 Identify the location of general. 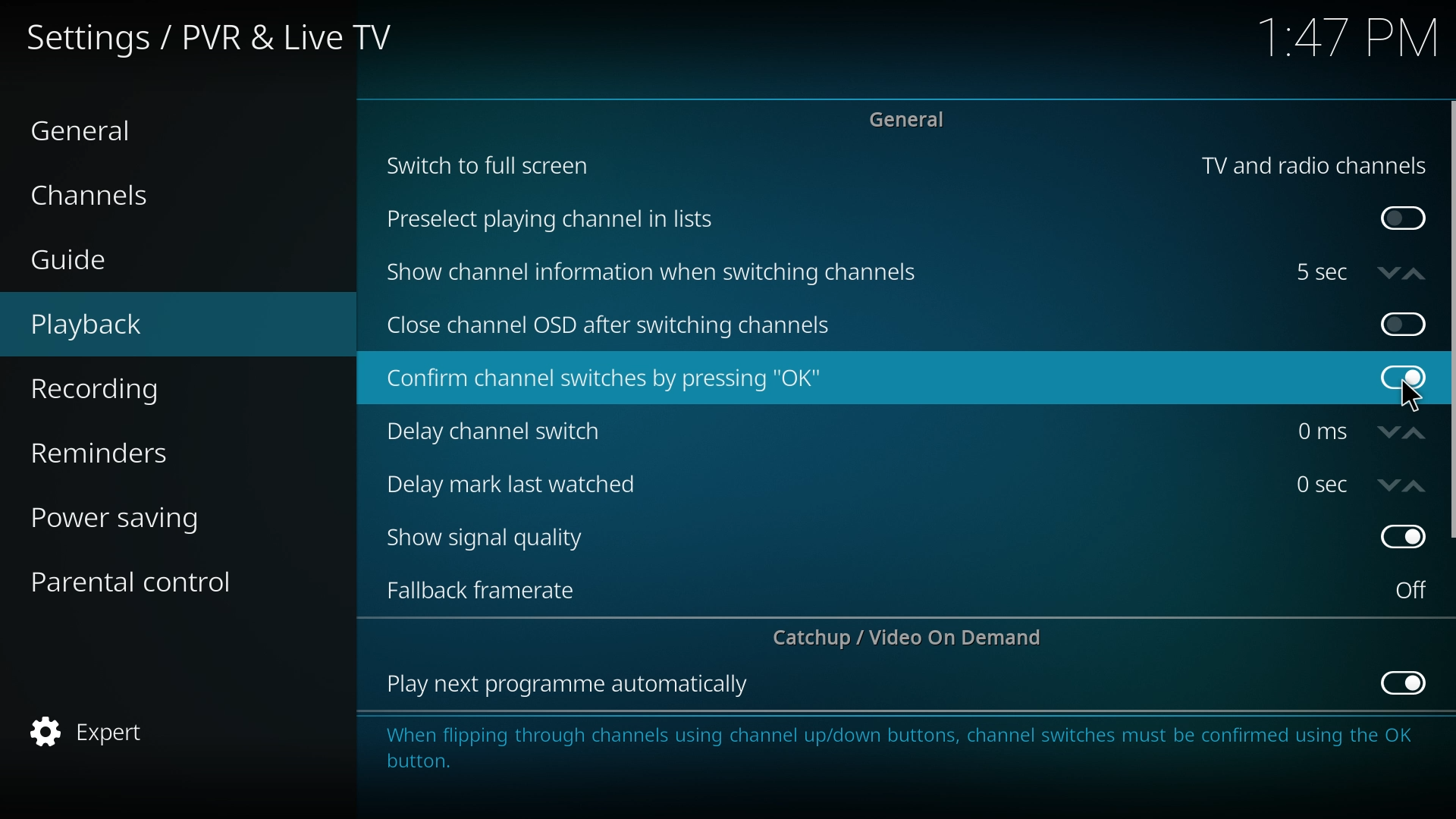
(107, 129).